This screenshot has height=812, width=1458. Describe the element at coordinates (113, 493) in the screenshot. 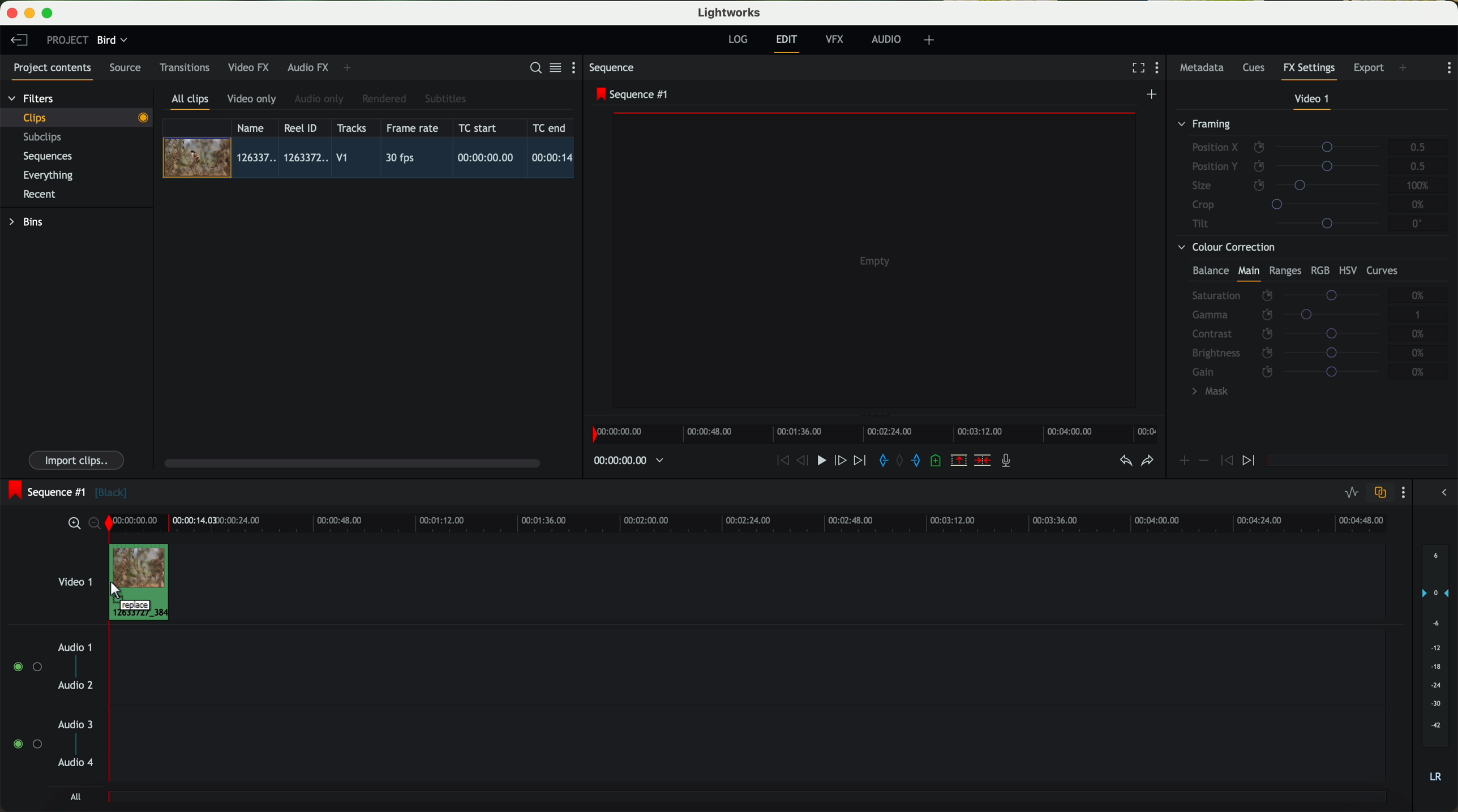

I see `black` at that location.